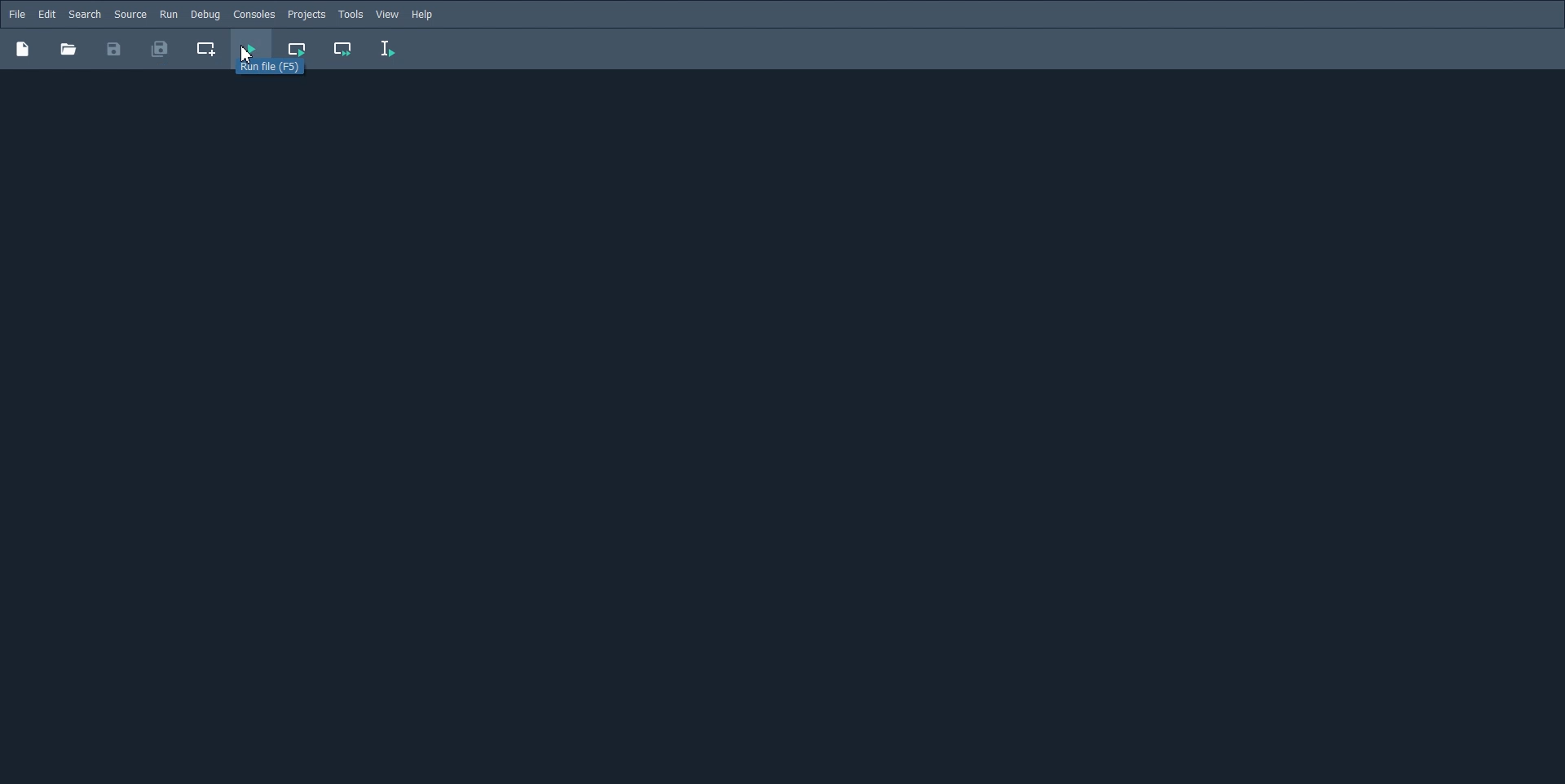 Image resolution: width=1565 pixels, height=784 pixels. What do you see at coordinates (114, 49) in the screenshot?
I see `Save File` at bounding box center [114, 49].